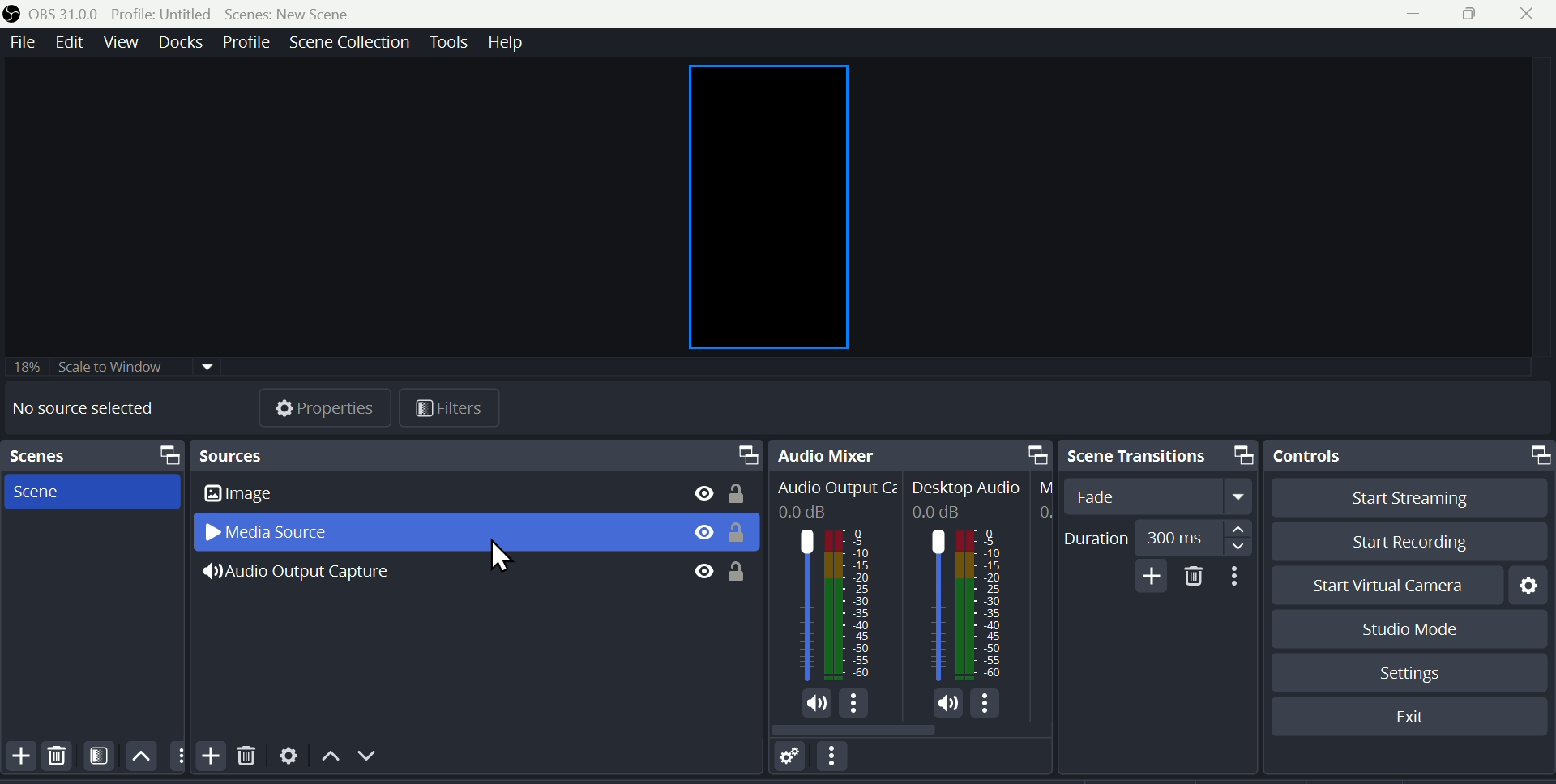  I want to click on Lock unlock, so click(742, 535).